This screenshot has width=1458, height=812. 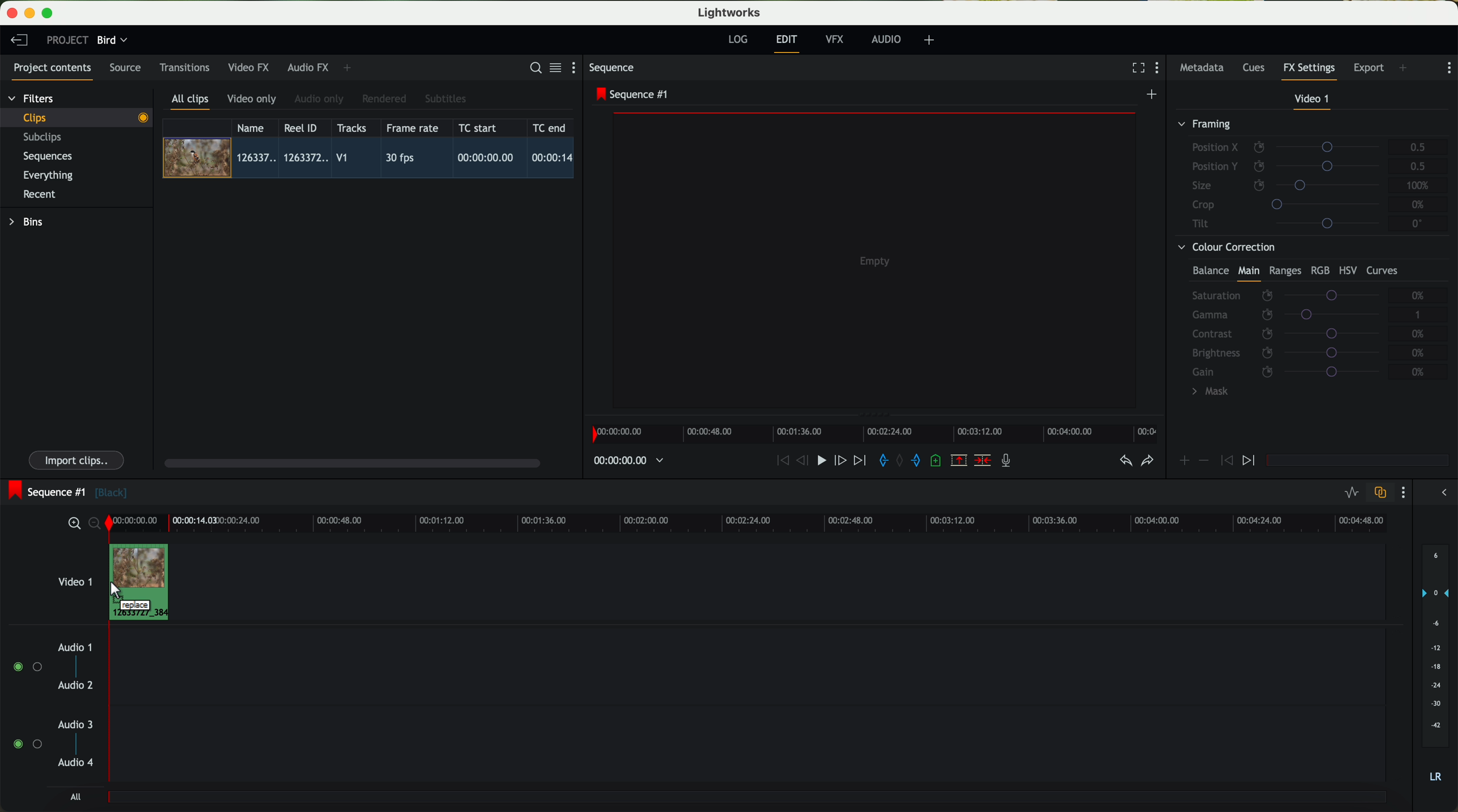 I want to click on rewind, so click(x=782, y=461).